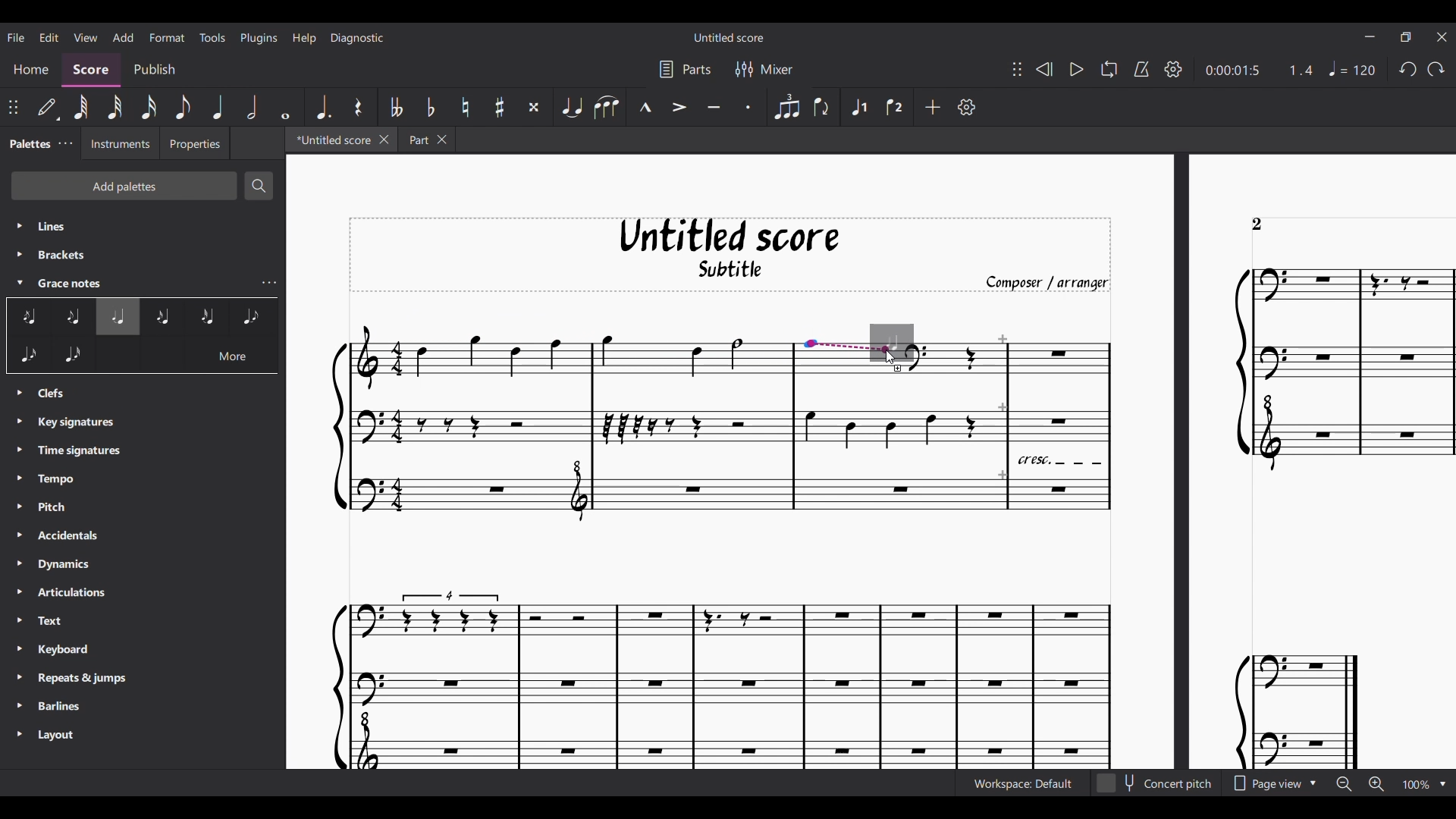 The image size is (1456, 819). Describe the element at coordinates (749, 106) in the screenshot. I see `Staccato` at that location.